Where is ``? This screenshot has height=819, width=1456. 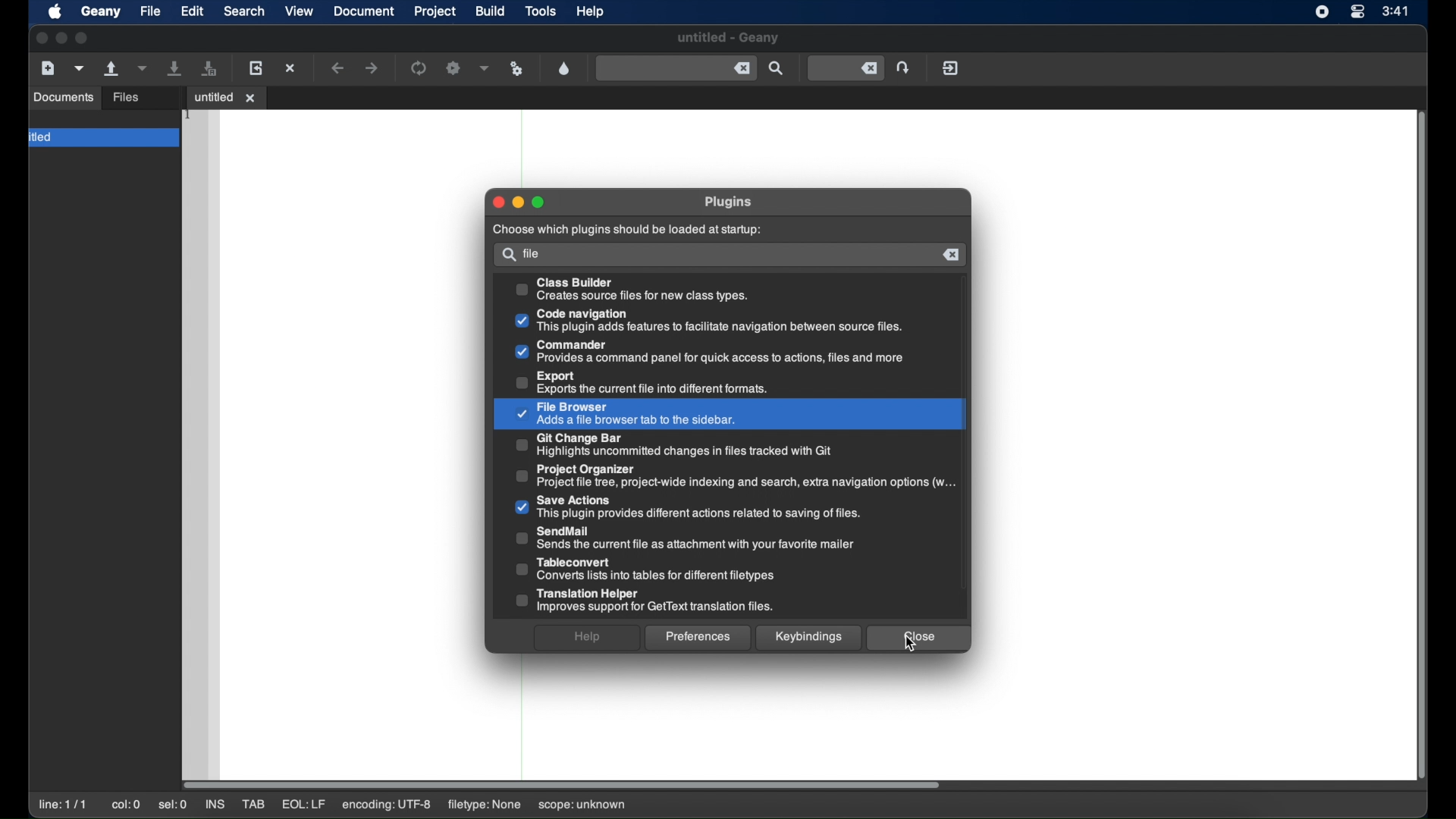  is located at coordinates (708, 353).